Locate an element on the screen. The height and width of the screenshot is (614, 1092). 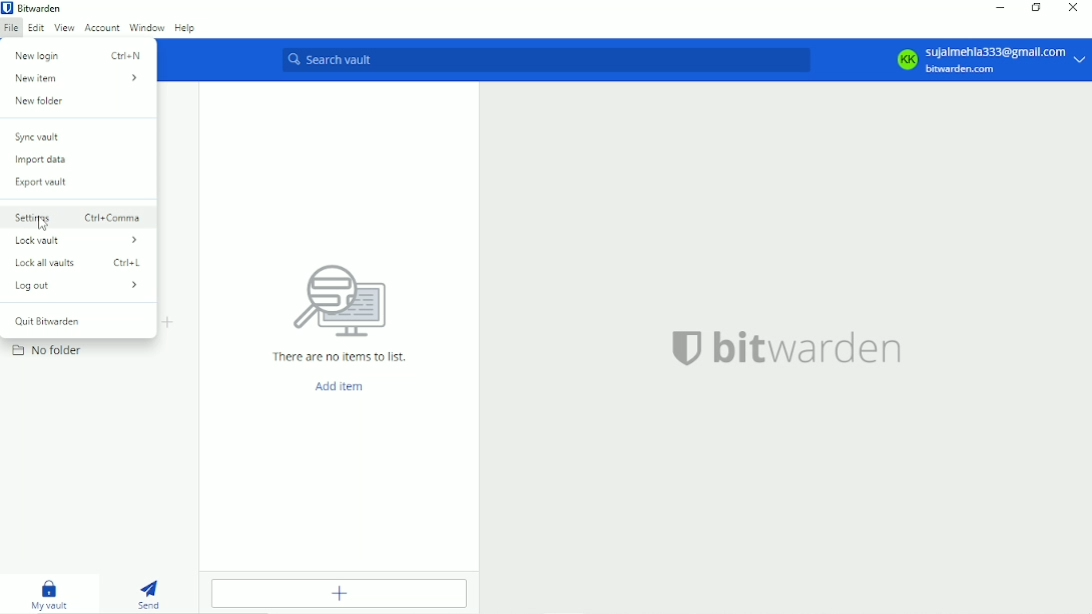
Account is located at coordinates (103, 29).